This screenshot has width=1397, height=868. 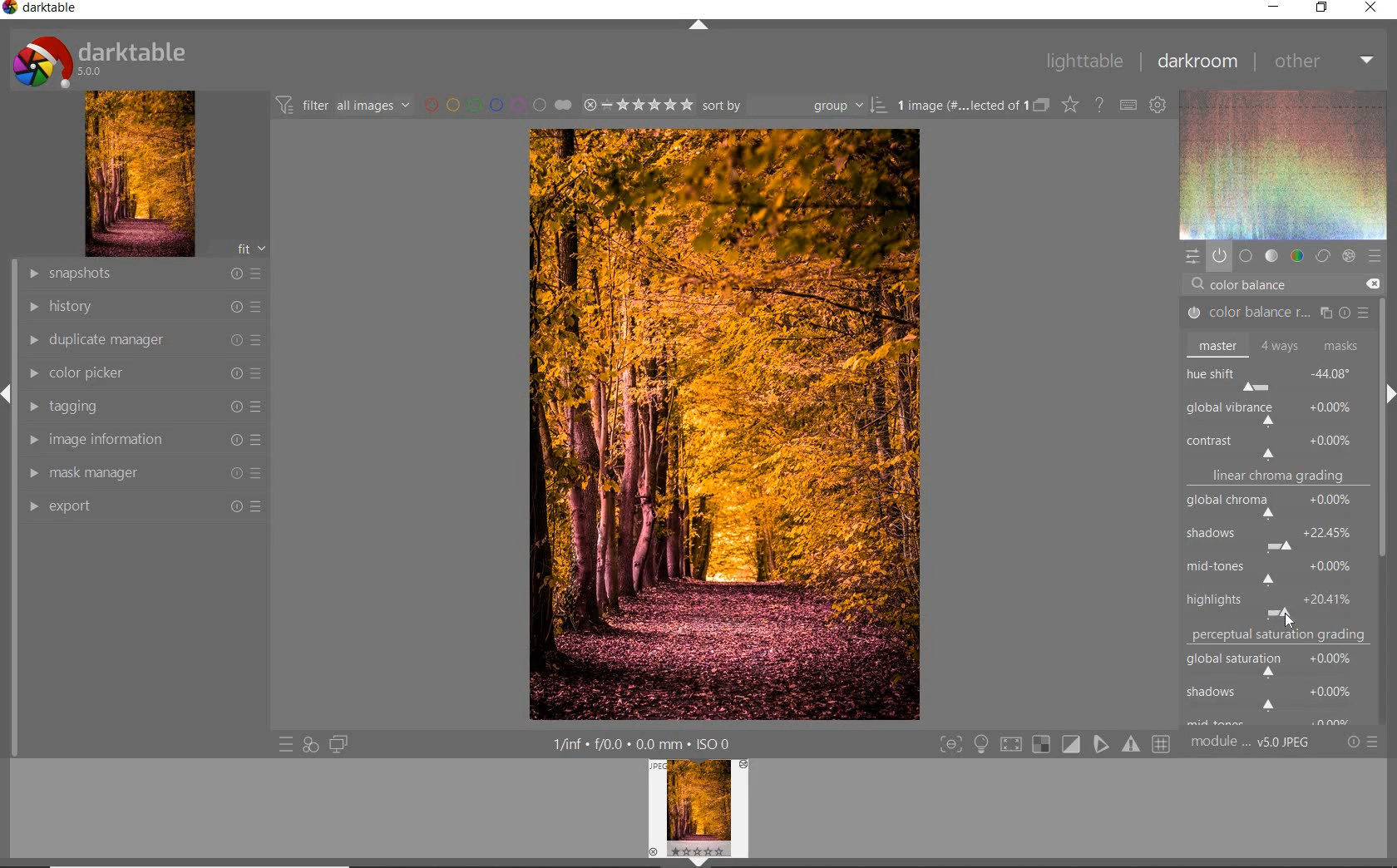 What do you see at coordinates (1279, 508) in the screenshot?
I see `global chroma` at bounding box center [1279, 508].